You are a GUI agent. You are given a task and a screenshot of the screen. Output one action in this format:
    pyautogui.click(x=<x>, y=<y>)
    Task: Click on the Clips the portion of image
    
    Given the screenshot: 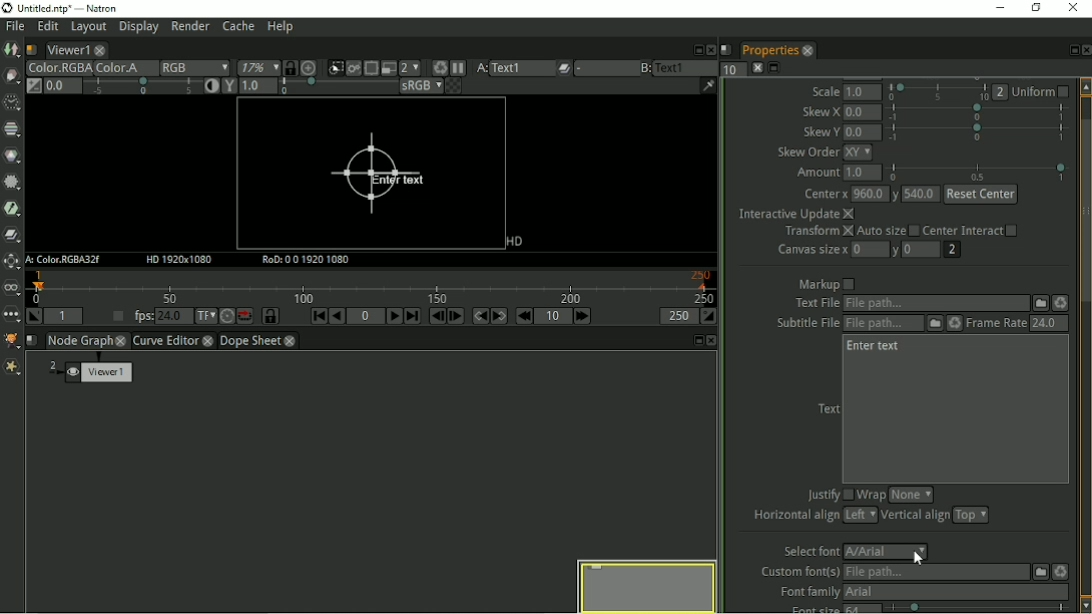 What is the action you would take?
    pyautogui.click(x=335, y=66)
    